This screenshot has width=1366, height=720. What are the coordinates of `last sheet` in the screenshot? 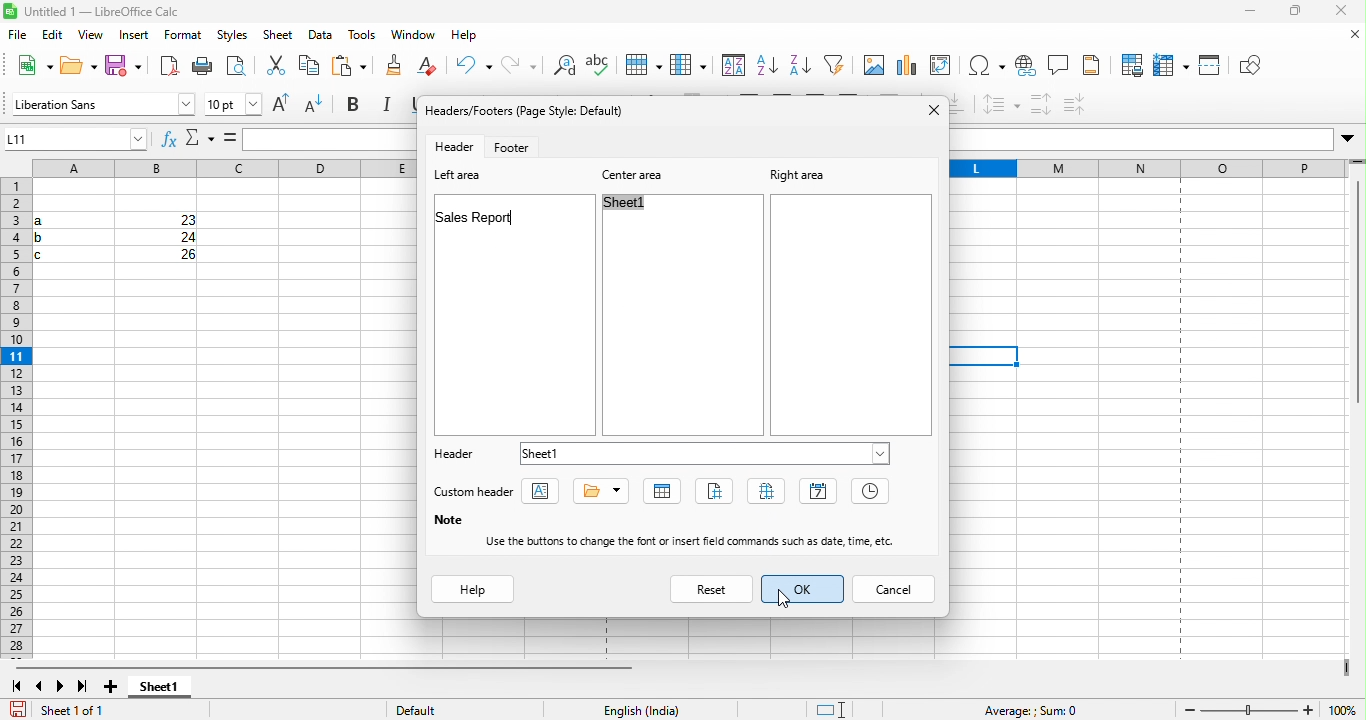 It's located at (84, 683).